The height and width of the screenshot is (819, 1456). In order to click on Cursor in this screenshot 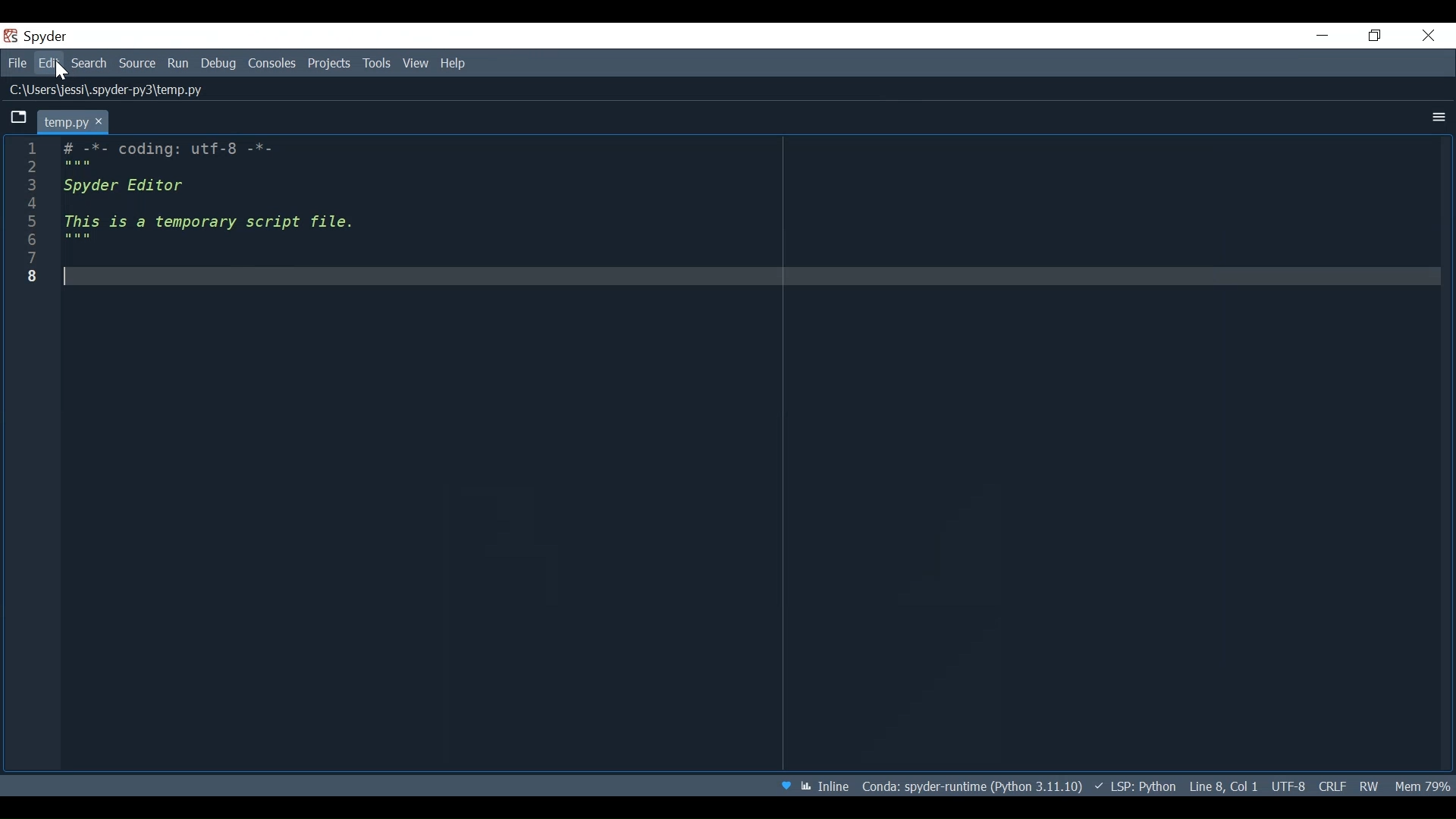, I will do `click(63, 71)`.